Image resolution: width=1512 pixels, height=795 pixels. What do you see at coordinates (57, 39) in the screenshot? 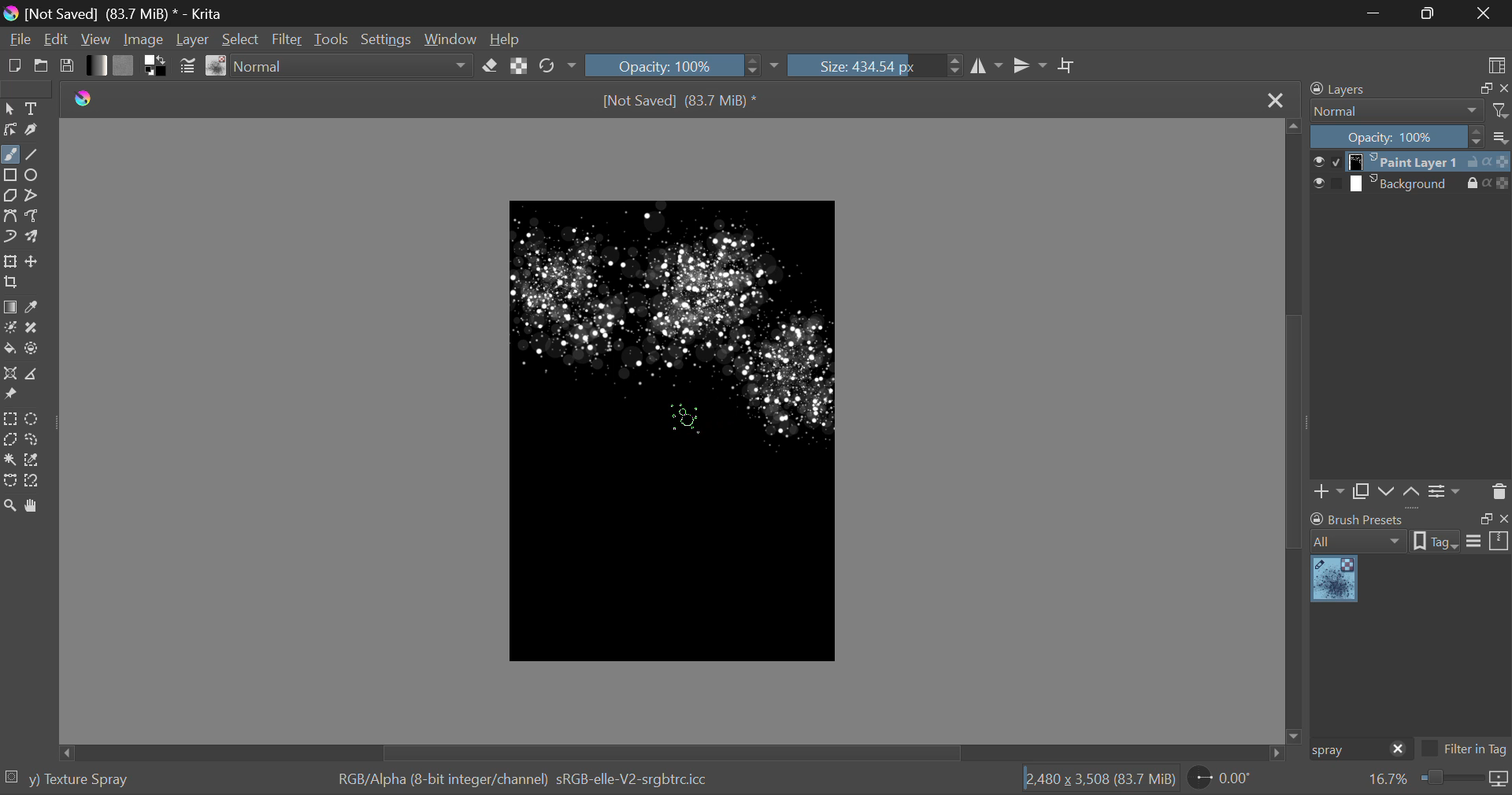
I see `Edit` at bounding box center [57, 39].